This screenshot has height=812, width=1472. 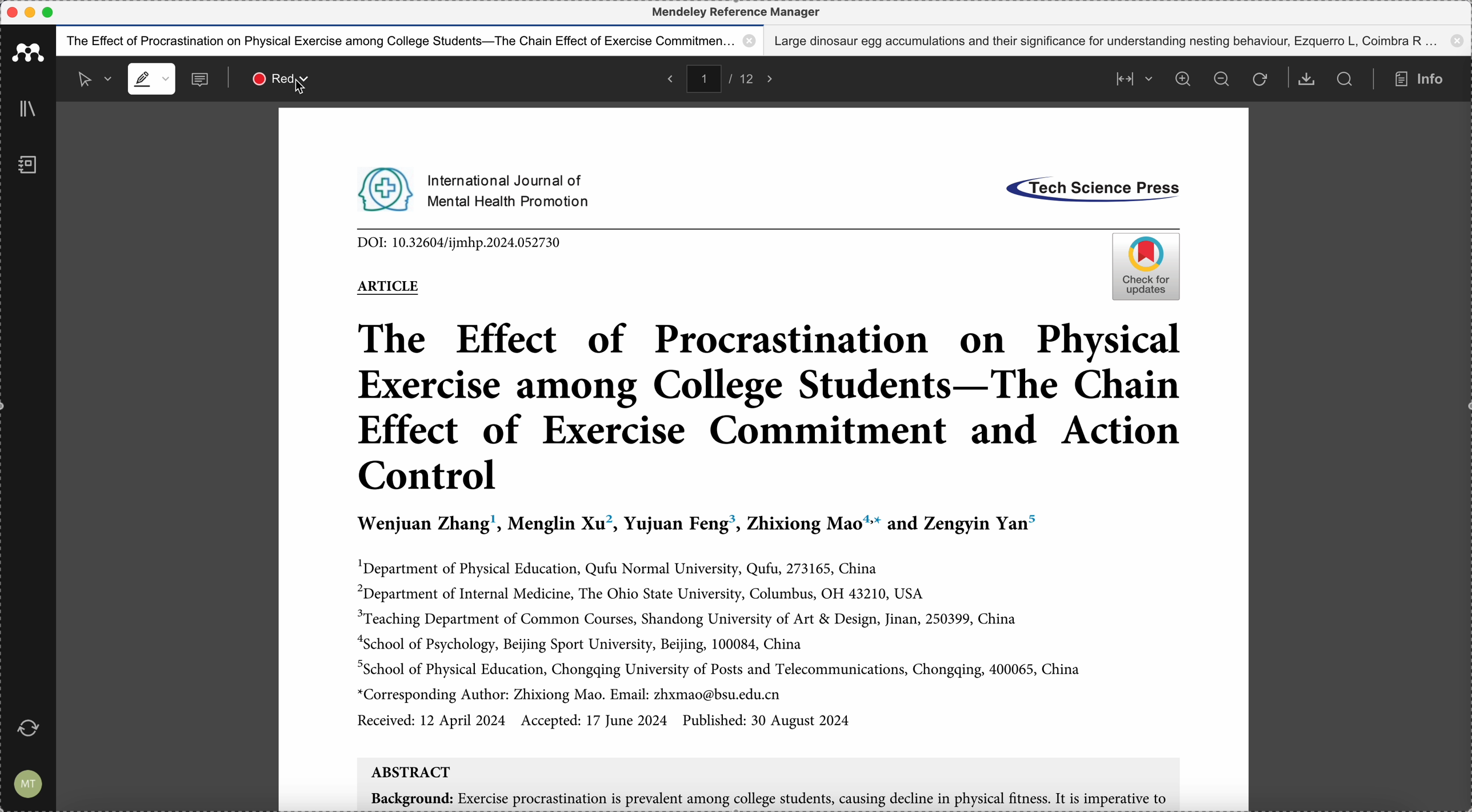 I want to click on The effect of procastination on physical exercise among college students - The Chain effect of exercise, so click(x=410, y=41).